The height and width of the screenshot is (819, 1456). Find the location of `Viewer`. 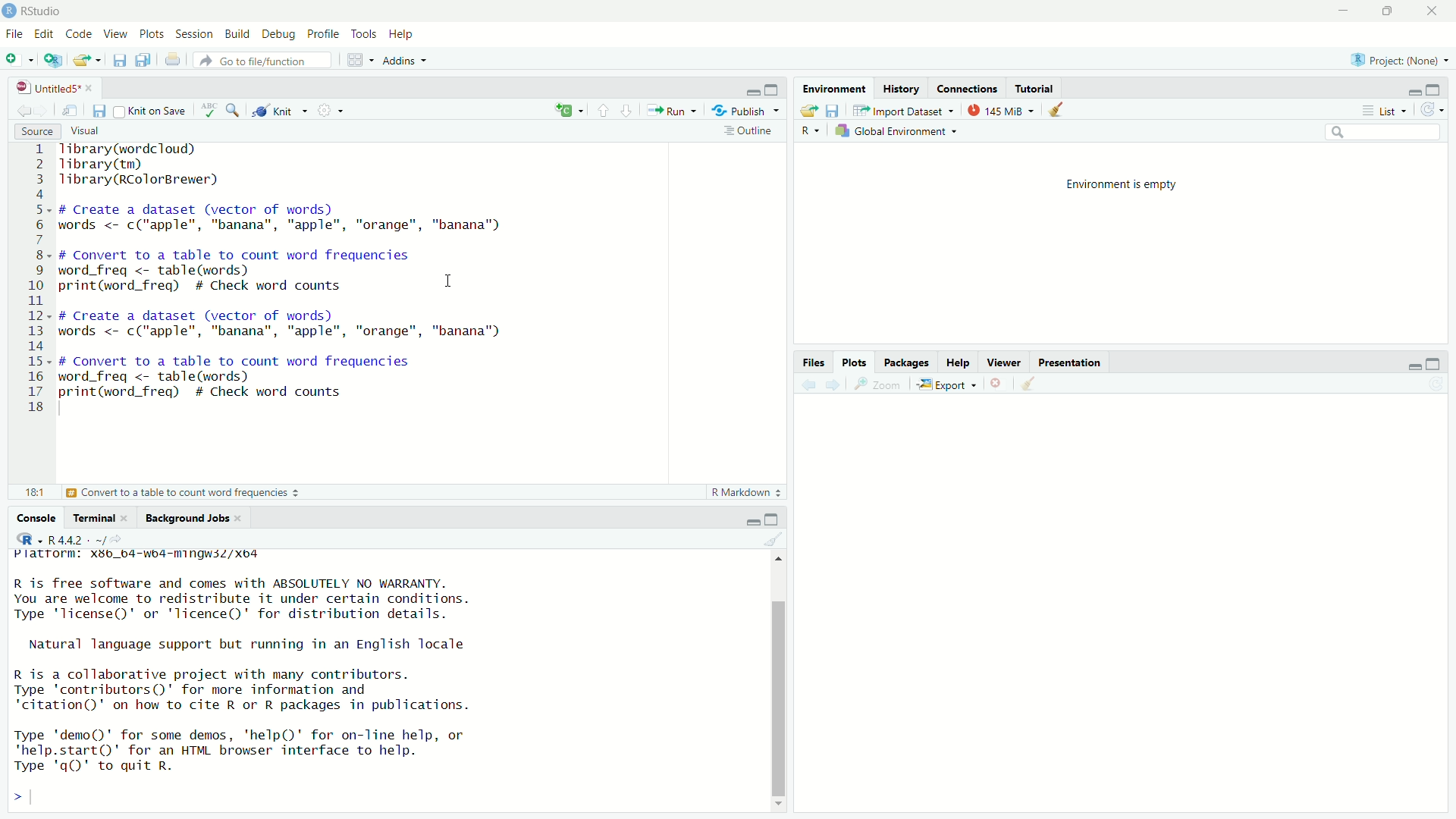

Viewer is located at coordinates (1005, 362).